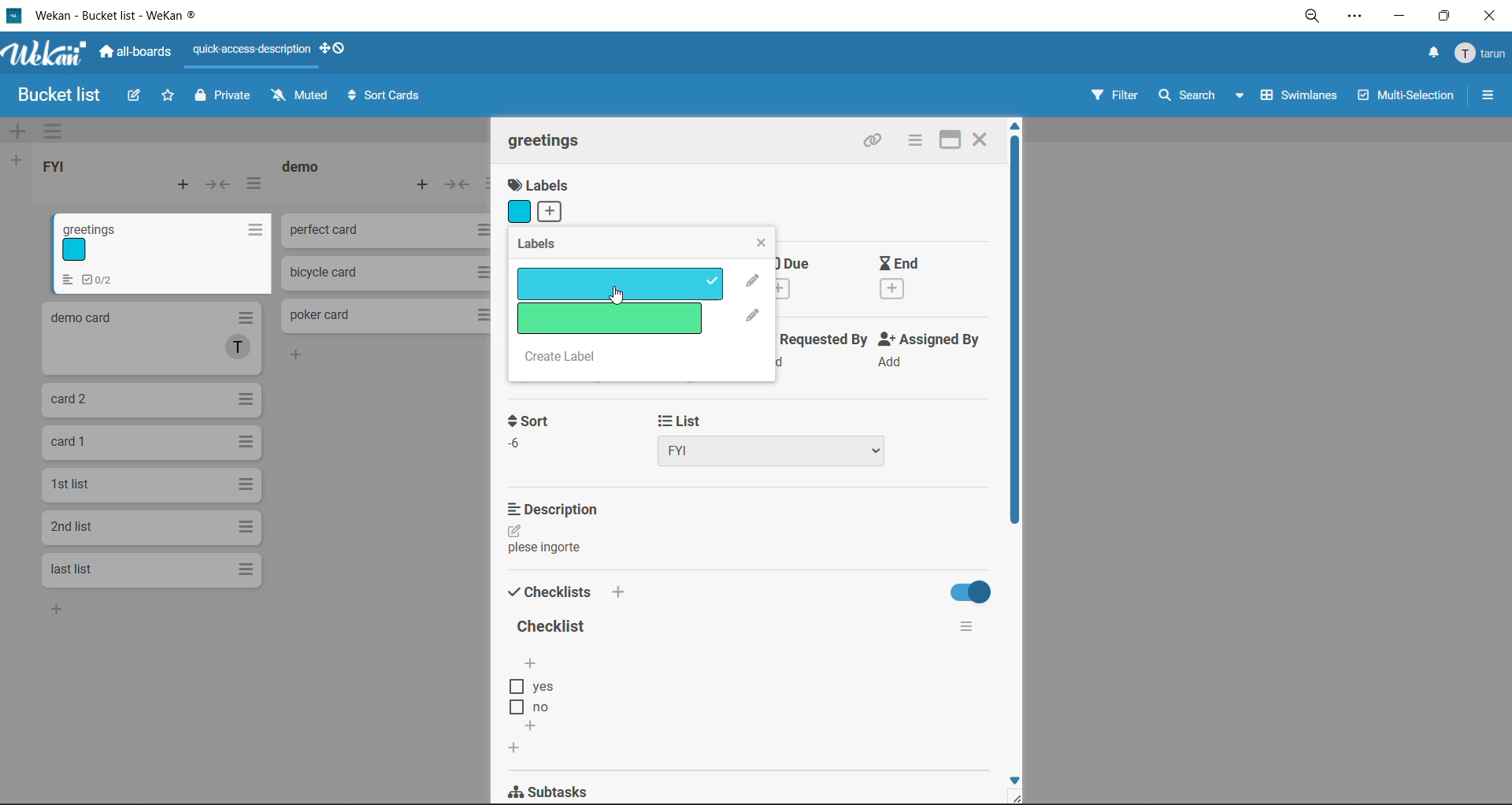  Describe the element at coordinates (533, 662) in the screenshot. I see `add checklist options` at that location.